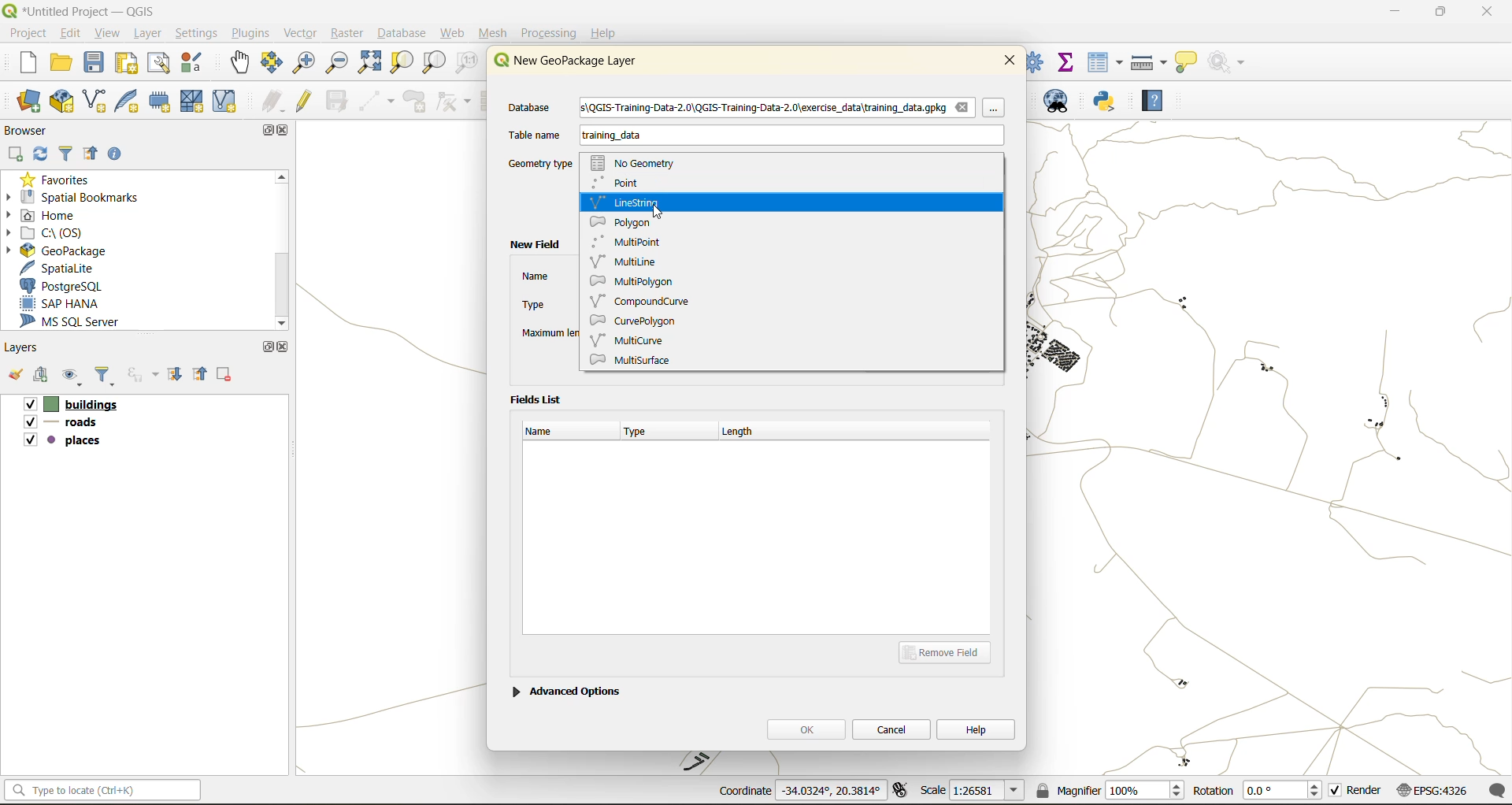  What do you see at coordinates (550, 331) in the screenshot?
I see `Maximum length` at bounding box center [550, 331].